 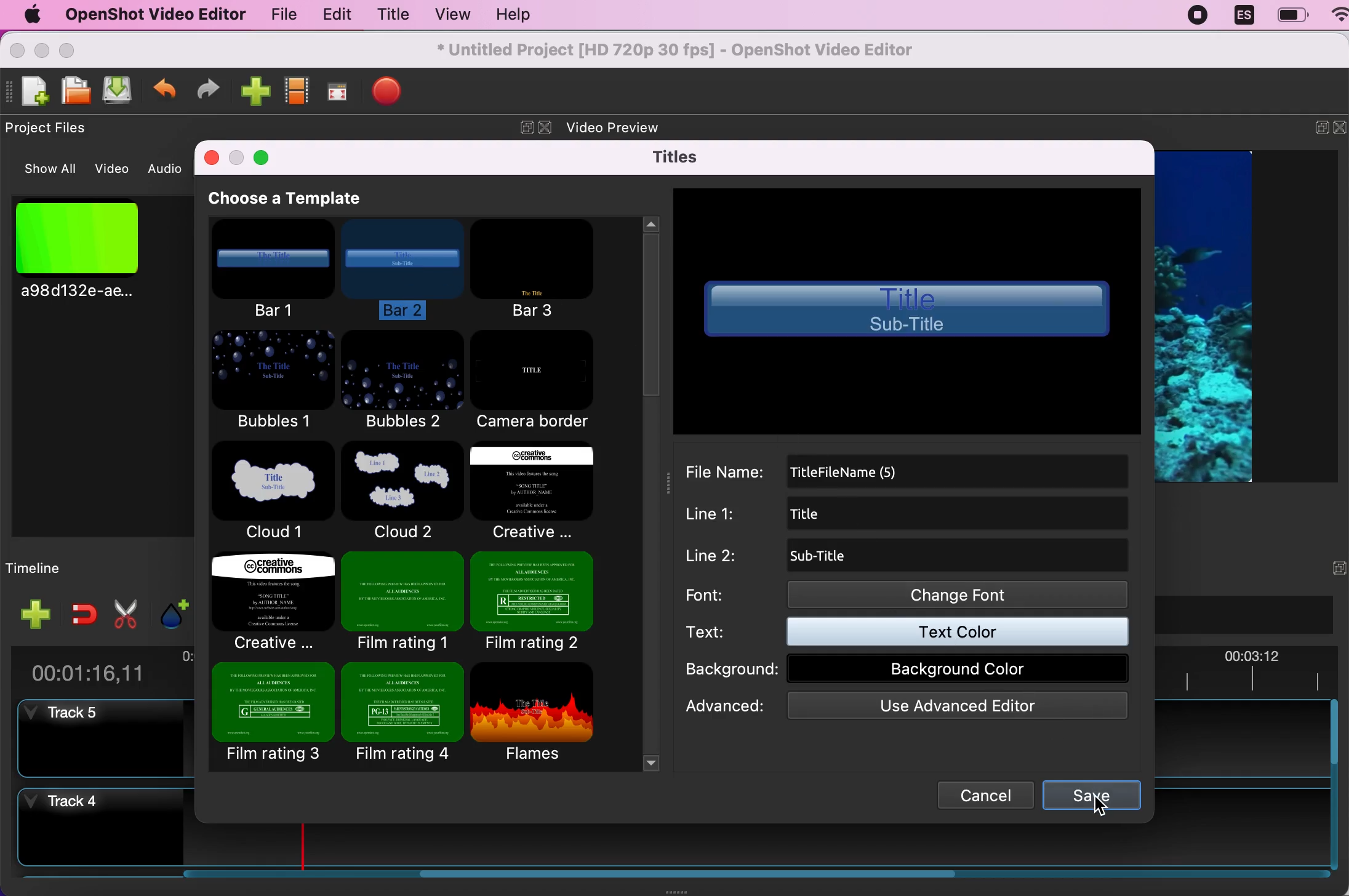 What do you see at coordinates (334, 15) in the screenshot?
I see `edit` at bounding box center [334, 15].